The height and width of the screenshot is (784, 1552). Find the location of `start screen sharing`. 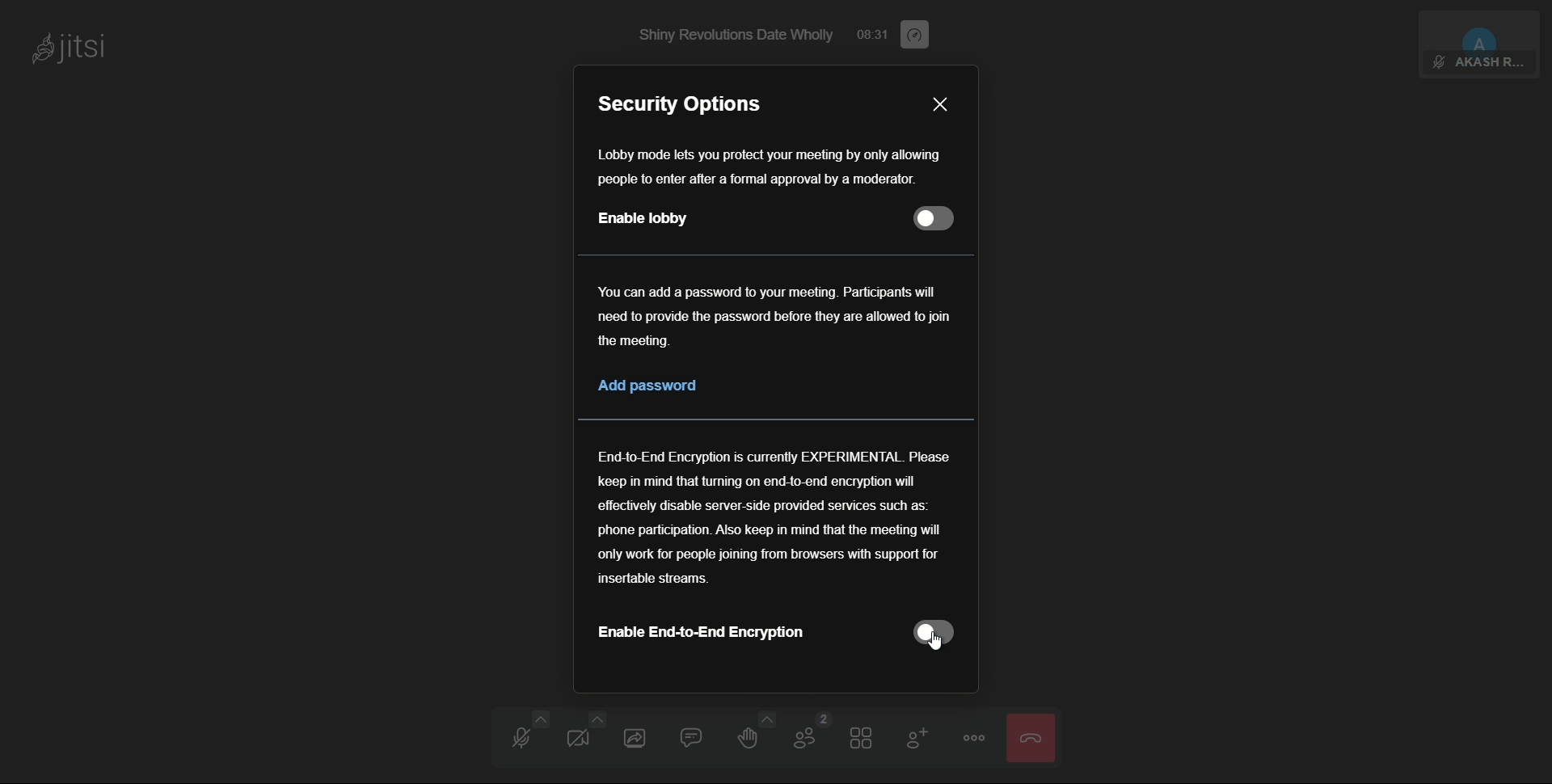

start screen sharing is located at coordinates (641, 736).